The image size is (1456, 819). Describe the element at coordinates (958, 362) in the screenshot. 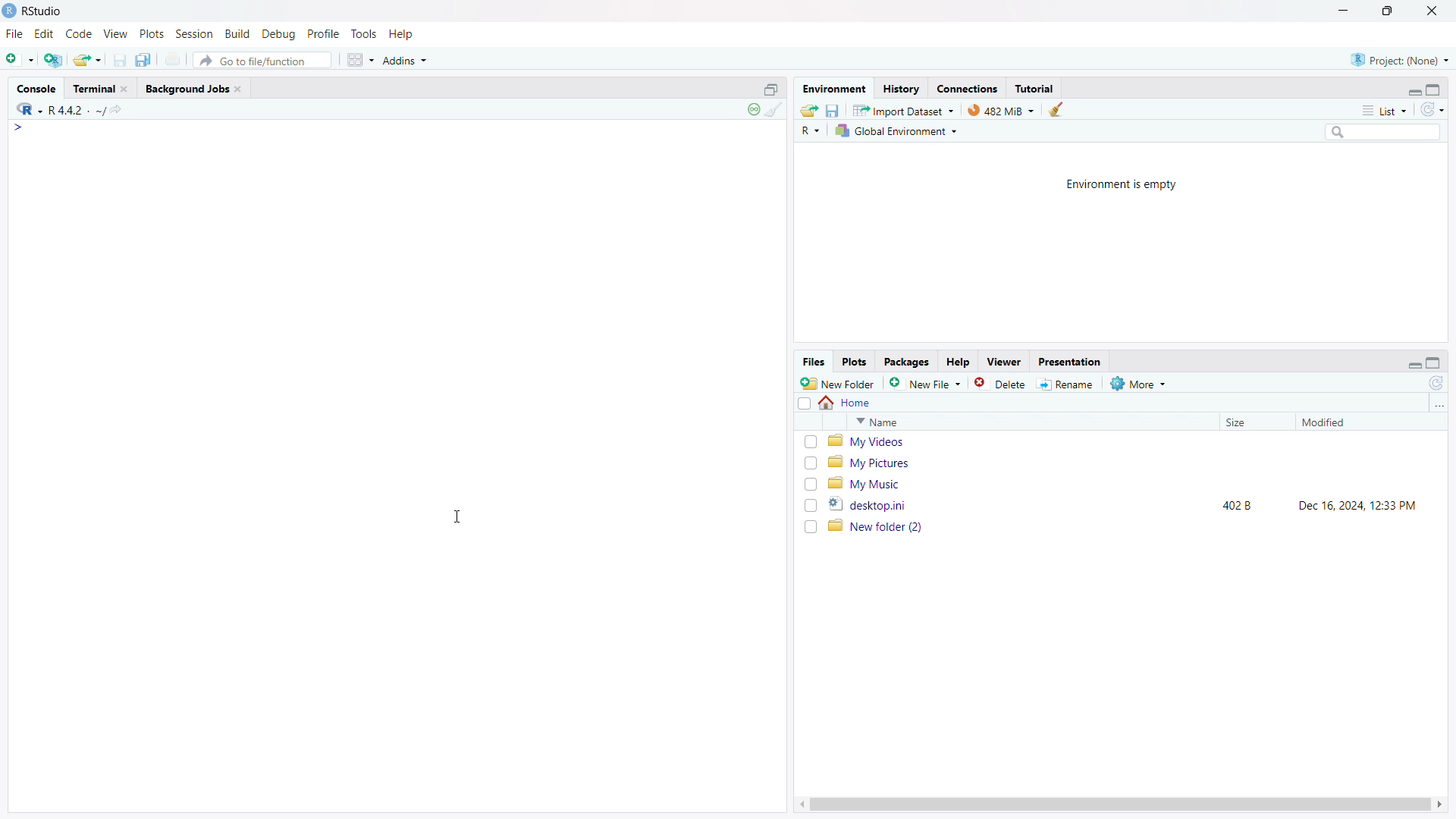

I see `help` at that location.